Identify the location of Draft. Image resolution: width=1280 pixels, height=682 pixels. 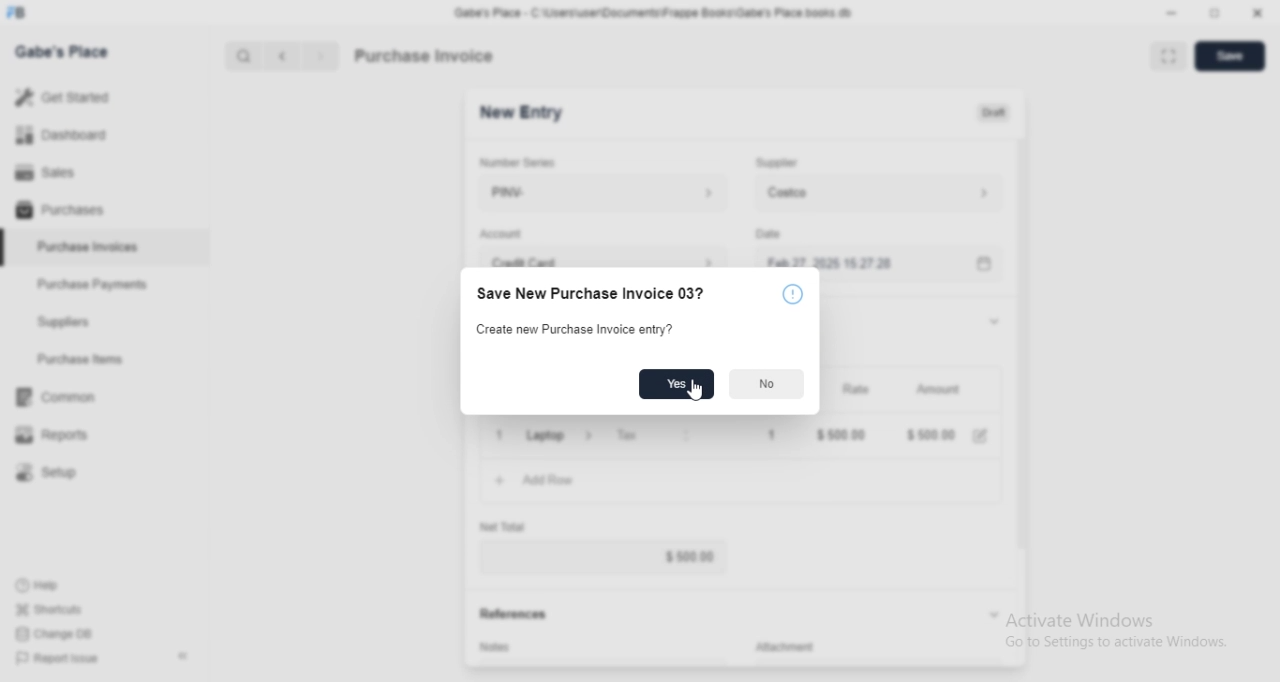
(994, 113).